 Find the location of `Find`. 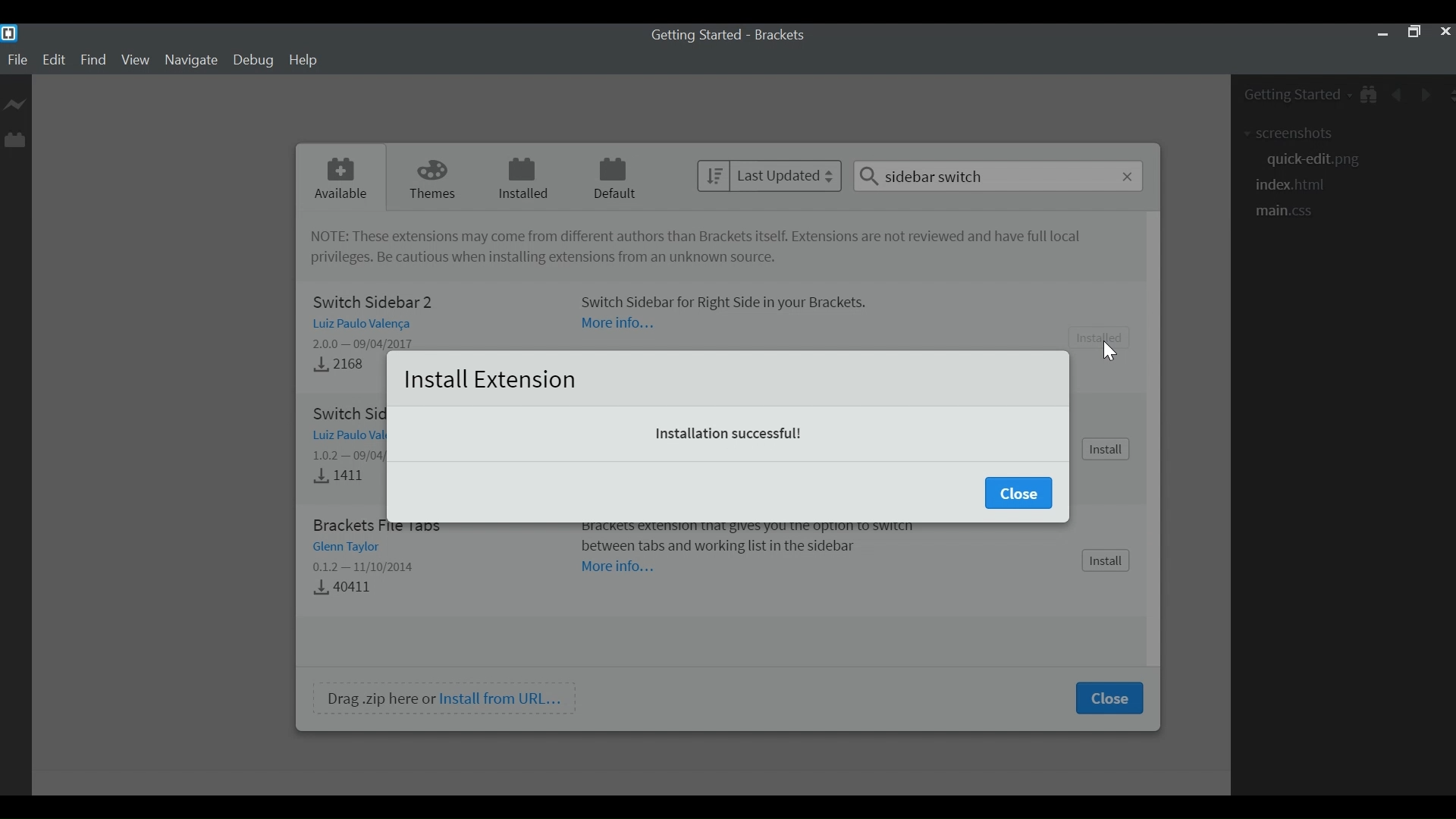

Find is located at coordinates (93, 61).